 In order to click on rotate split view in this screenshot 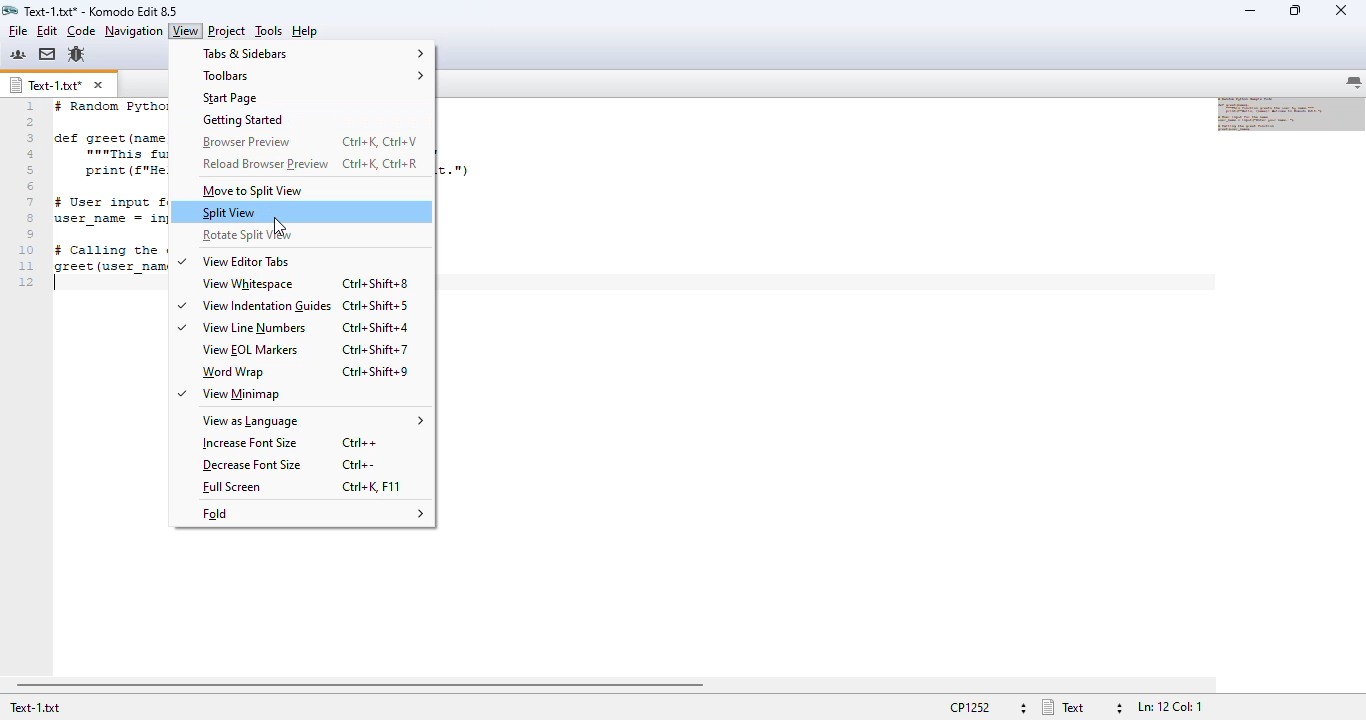, I will do `click(243, 235)`.